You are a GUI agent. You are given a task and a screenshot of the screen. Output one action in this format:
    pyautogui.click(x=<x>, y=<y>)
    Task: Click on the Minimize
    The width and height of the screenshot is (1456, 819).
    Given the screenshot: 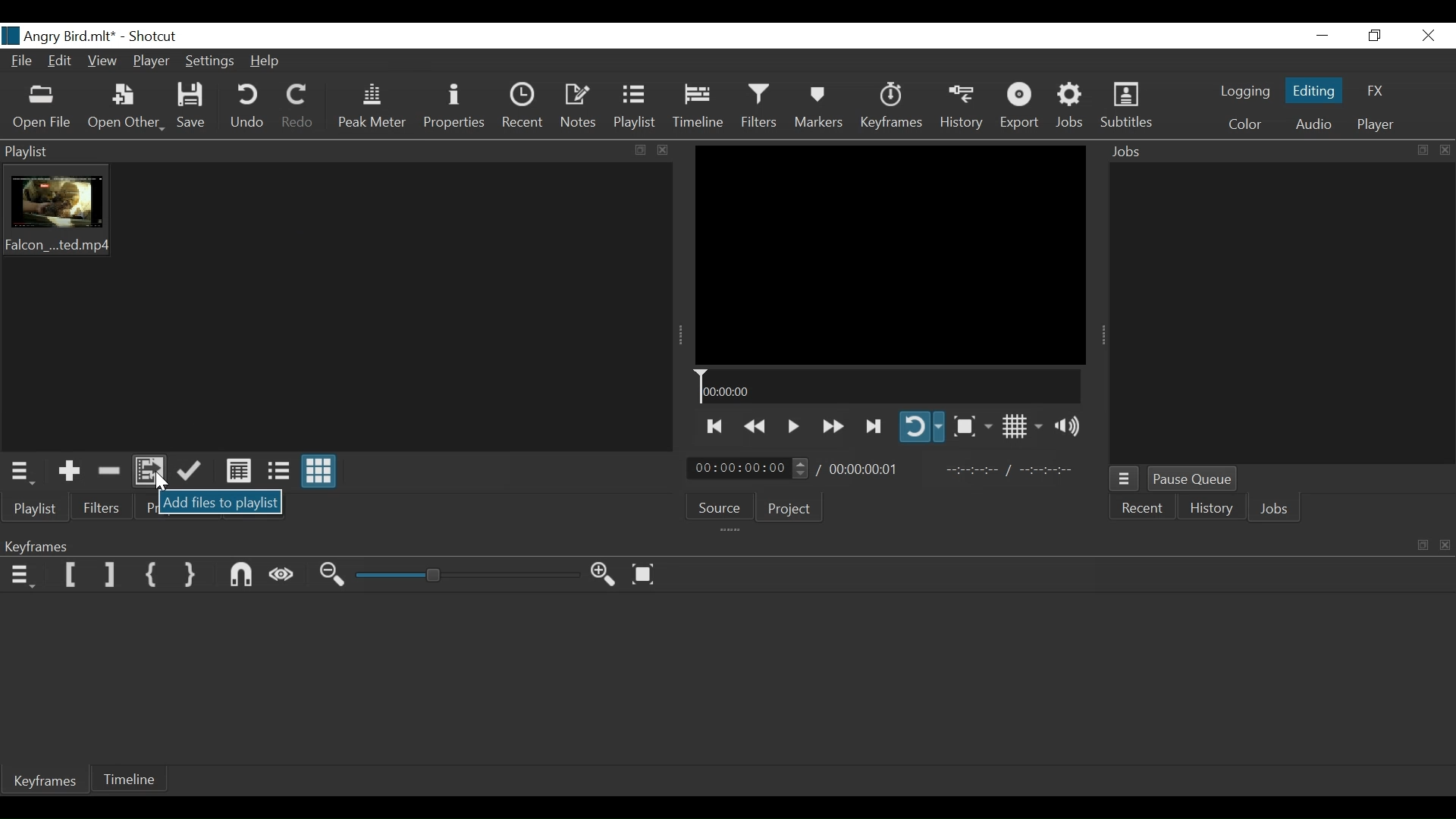 What is the action you would take?
    pyautogui.click(x=1326, y=36)
    